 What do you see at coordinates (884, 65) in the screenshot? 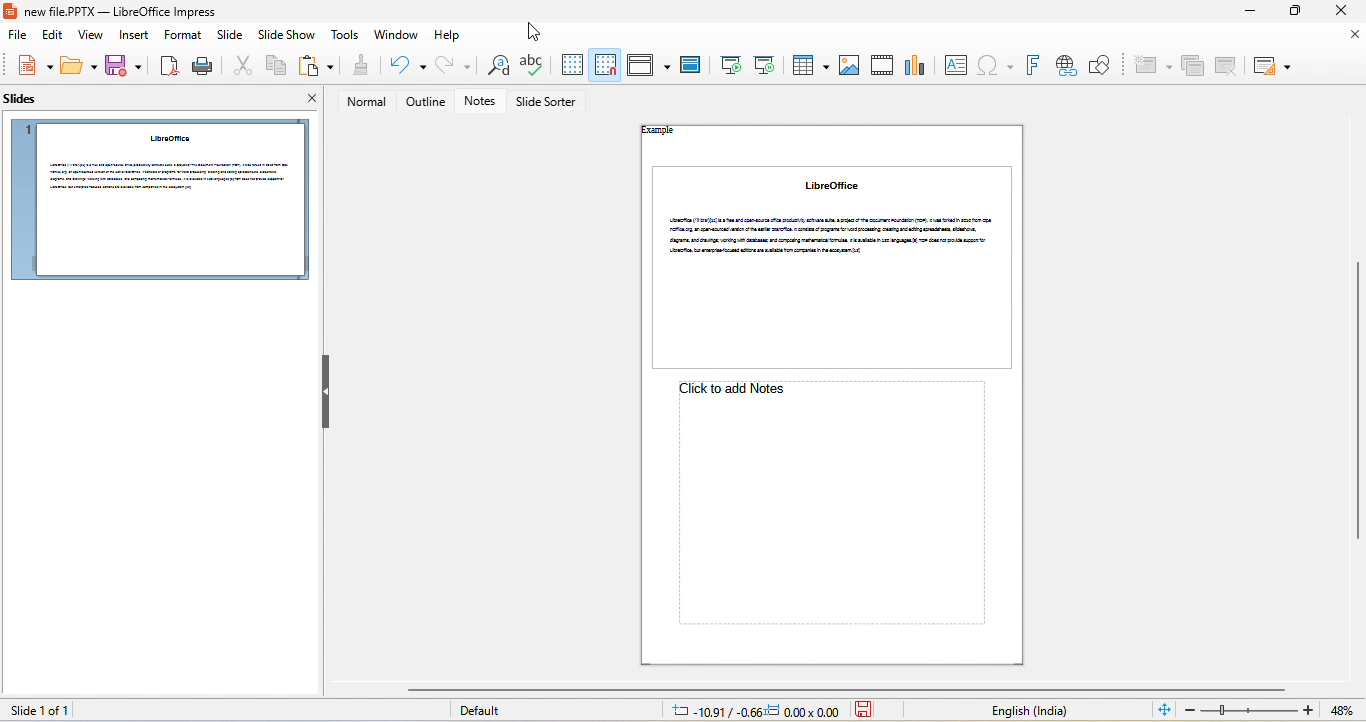
I see `audio/video` at bounding box center [884, 65].